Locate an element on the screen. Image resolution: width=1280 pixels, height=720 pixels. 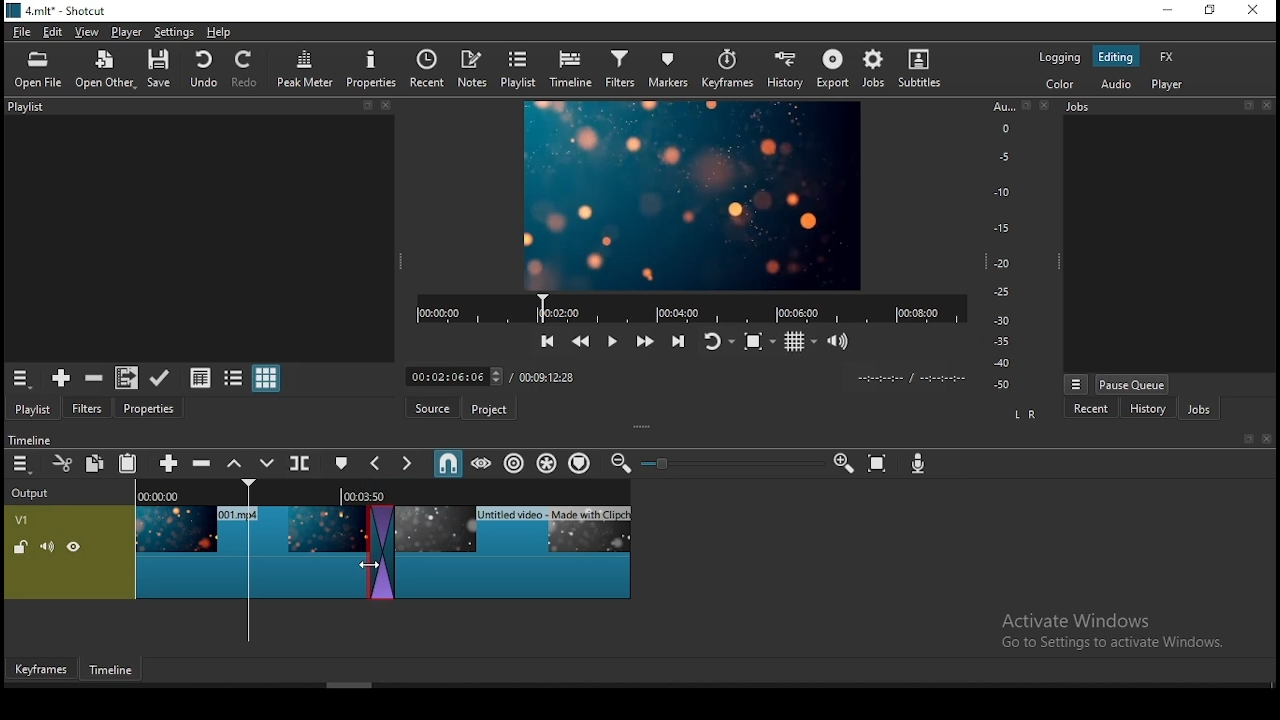
add the source to the playlist is located at coordinates (59, 378).